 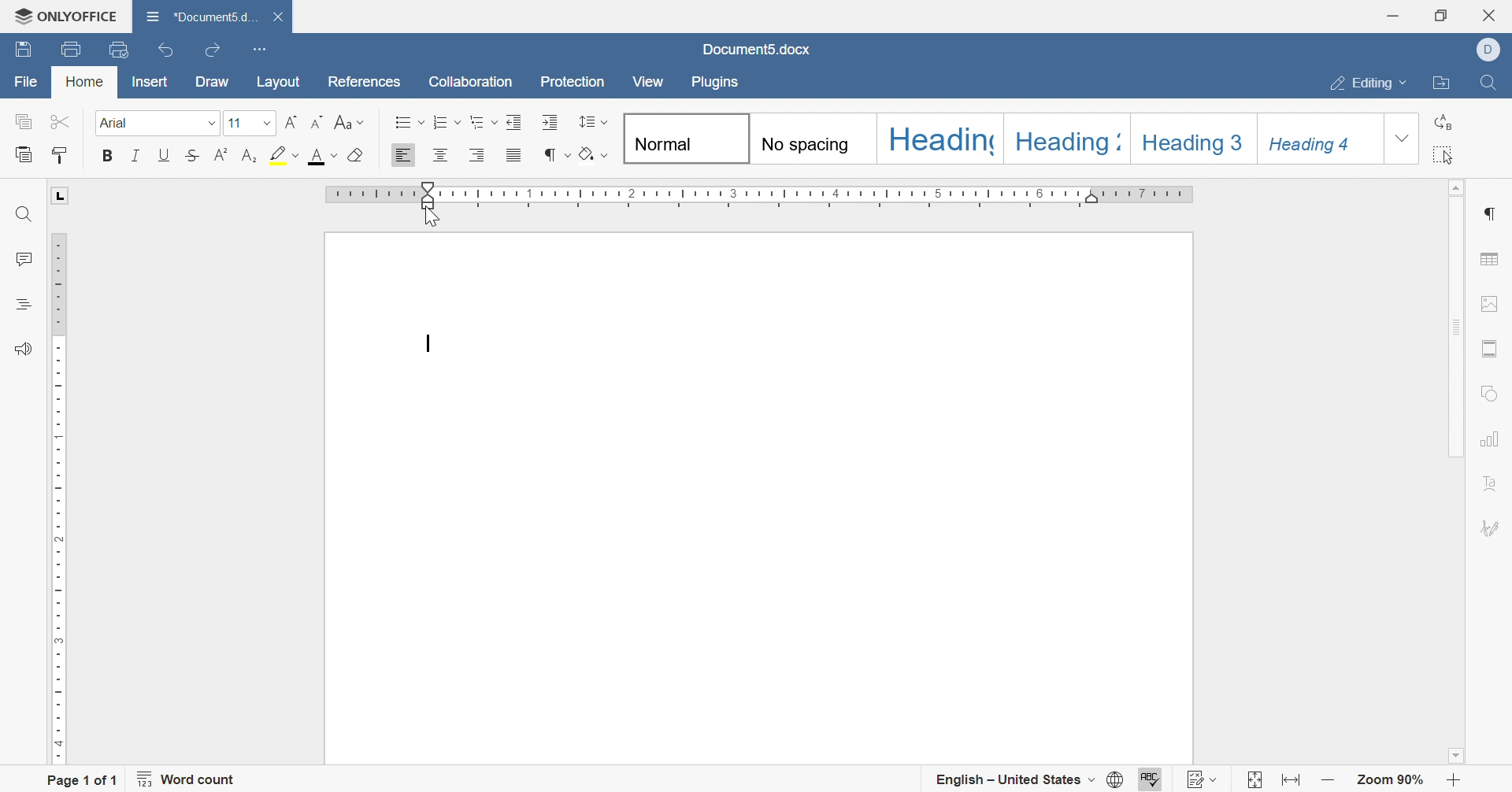 What do you see at coordinates (26, 47) in the screenshot?
I see `save` at bounding box center [26, 47].